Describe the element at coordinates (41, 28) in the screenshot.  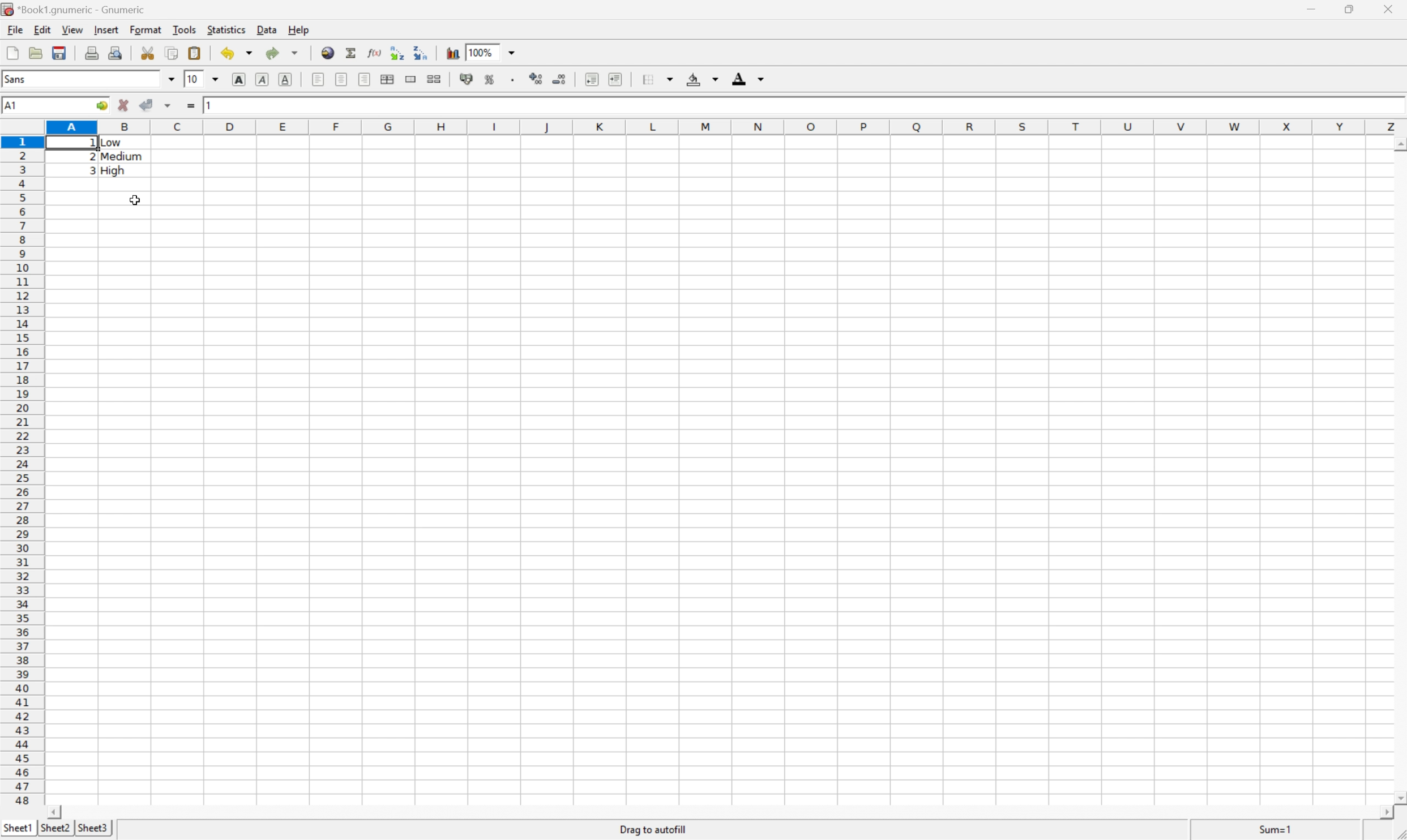
I see `Edit` at that location.